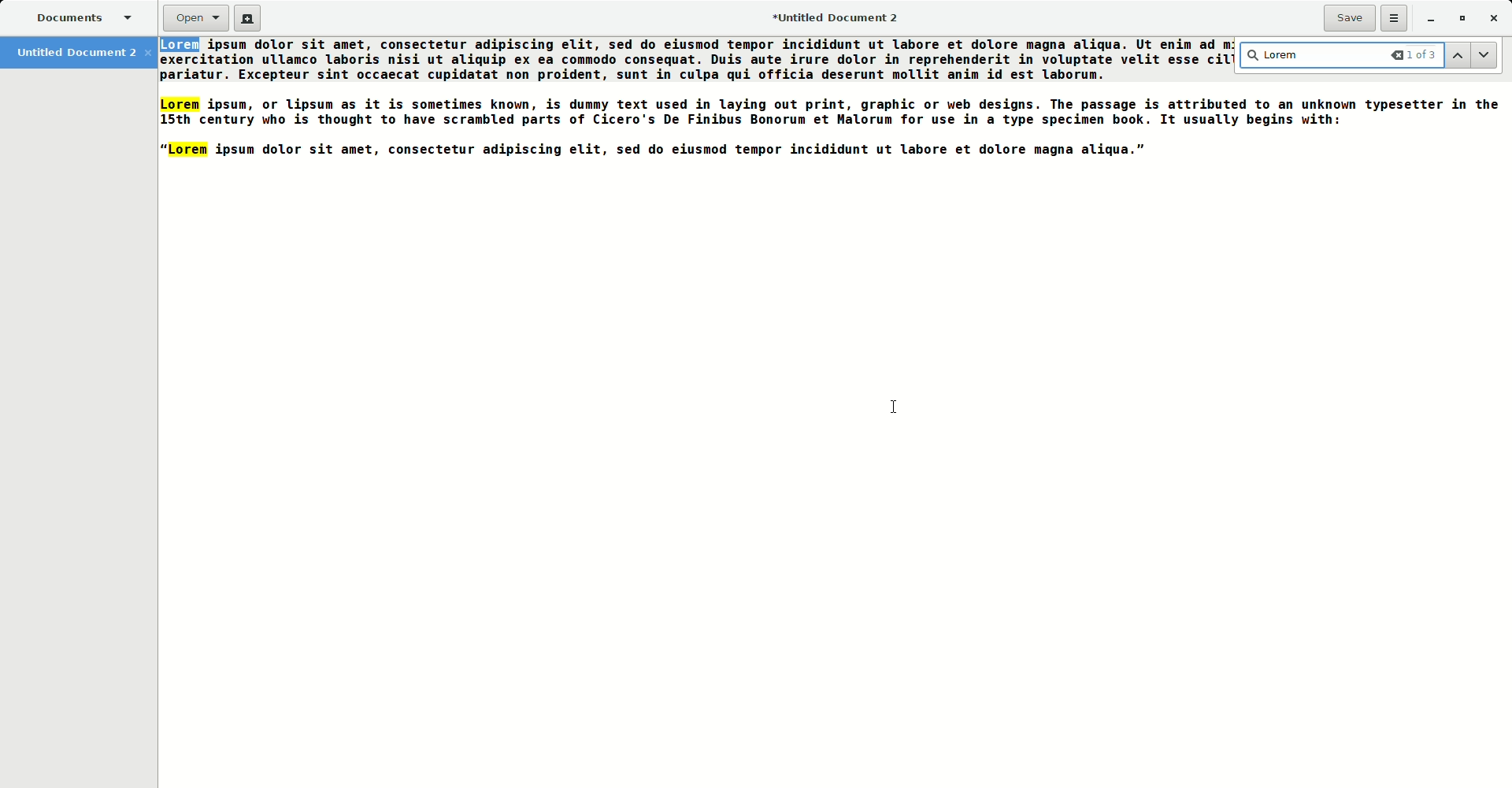 Image resolution: width=1512 pixels, height=788 pixels. Describe the element at coordinates (183, 72) in the screenshot. I see `Paragraphs` at that location.